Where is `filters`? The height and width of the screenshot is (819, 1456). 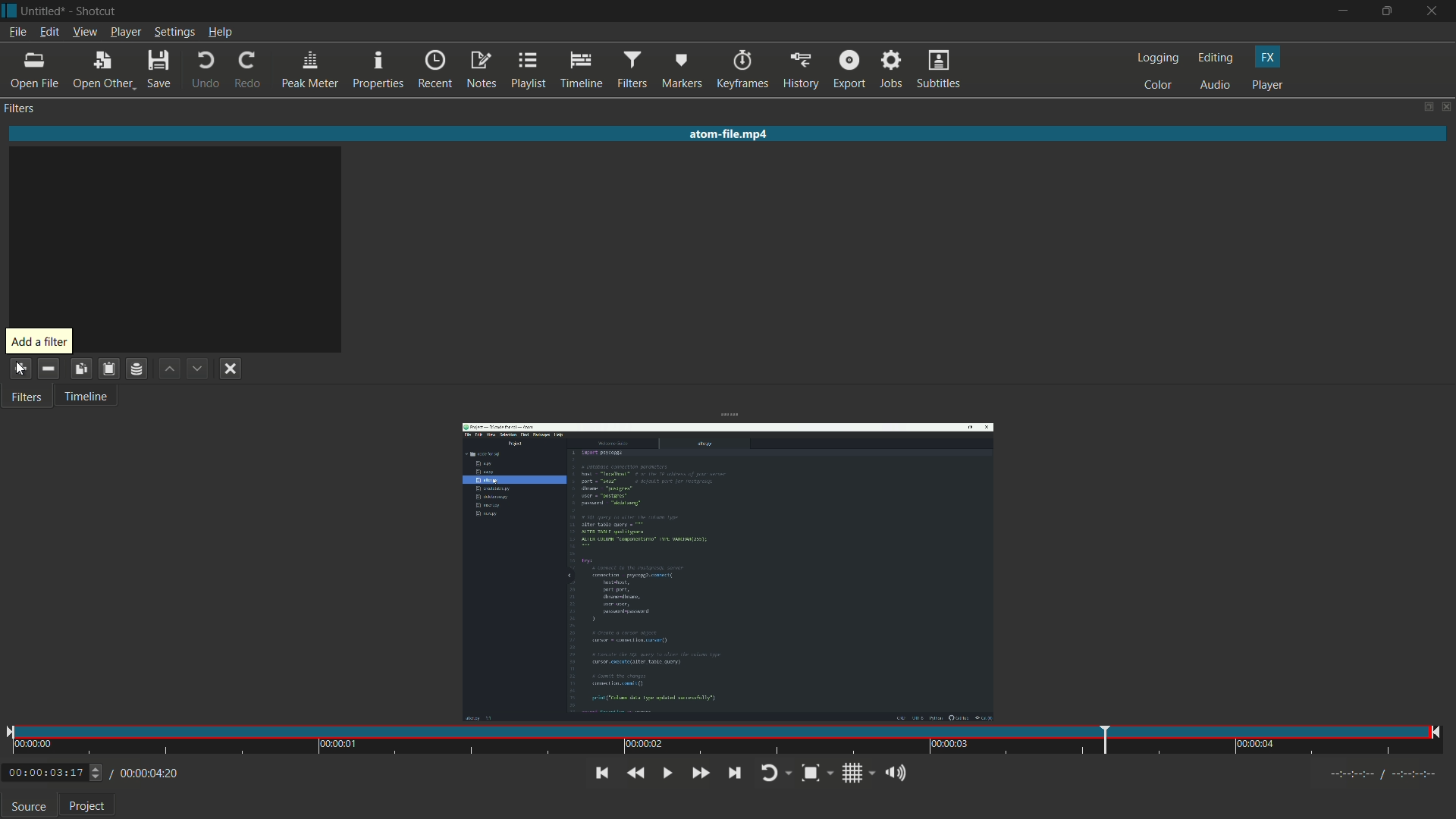
filters is located at coordinates (20, 108).